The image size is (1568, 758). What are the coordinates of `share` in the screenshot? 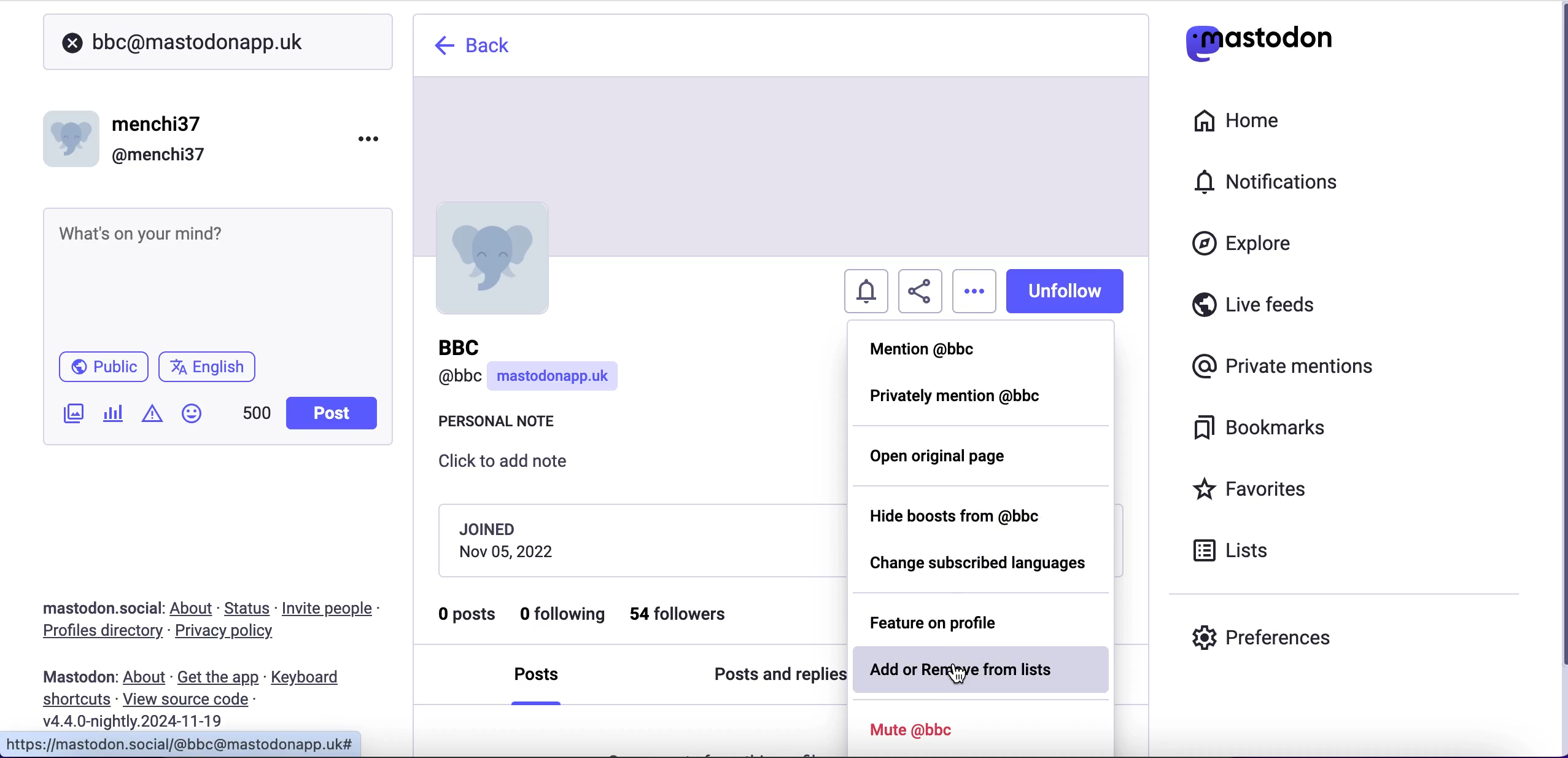 It's located at (920, 289).